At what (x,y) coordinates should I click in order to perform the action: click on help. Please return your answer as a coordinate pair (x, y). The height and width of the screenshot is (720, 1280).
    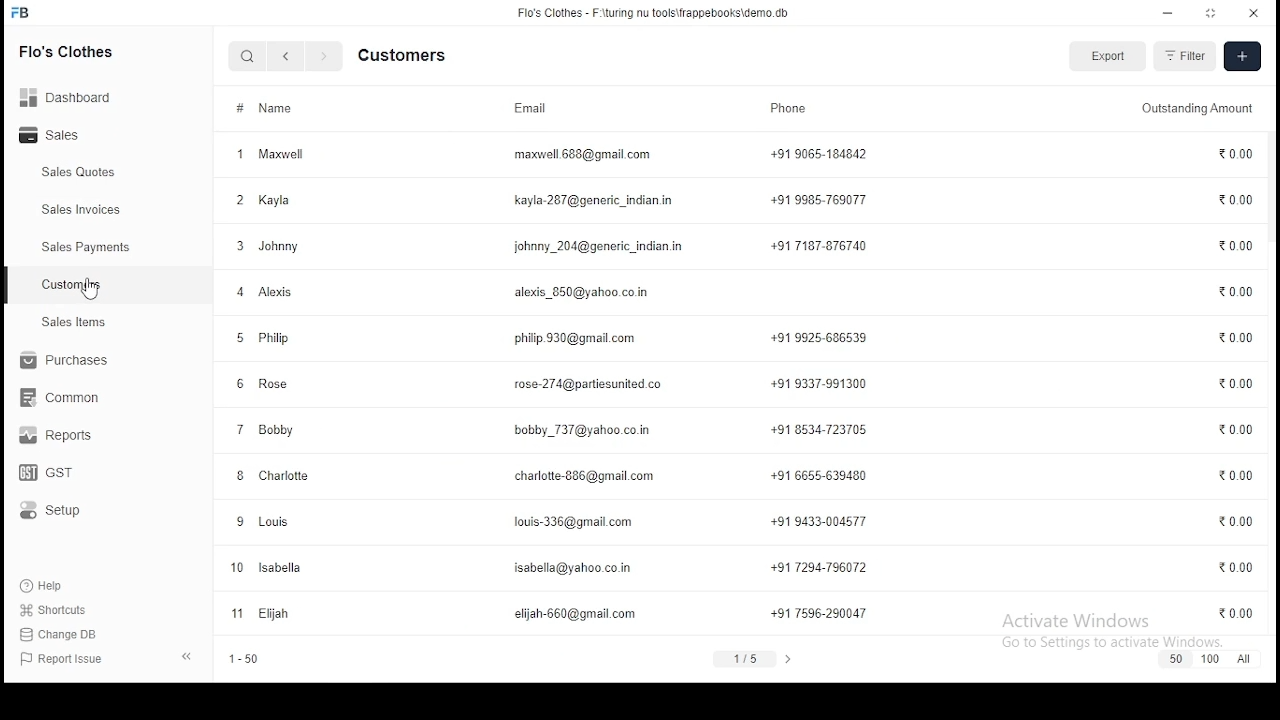
    Looking at the image, I should click on (52, 586).